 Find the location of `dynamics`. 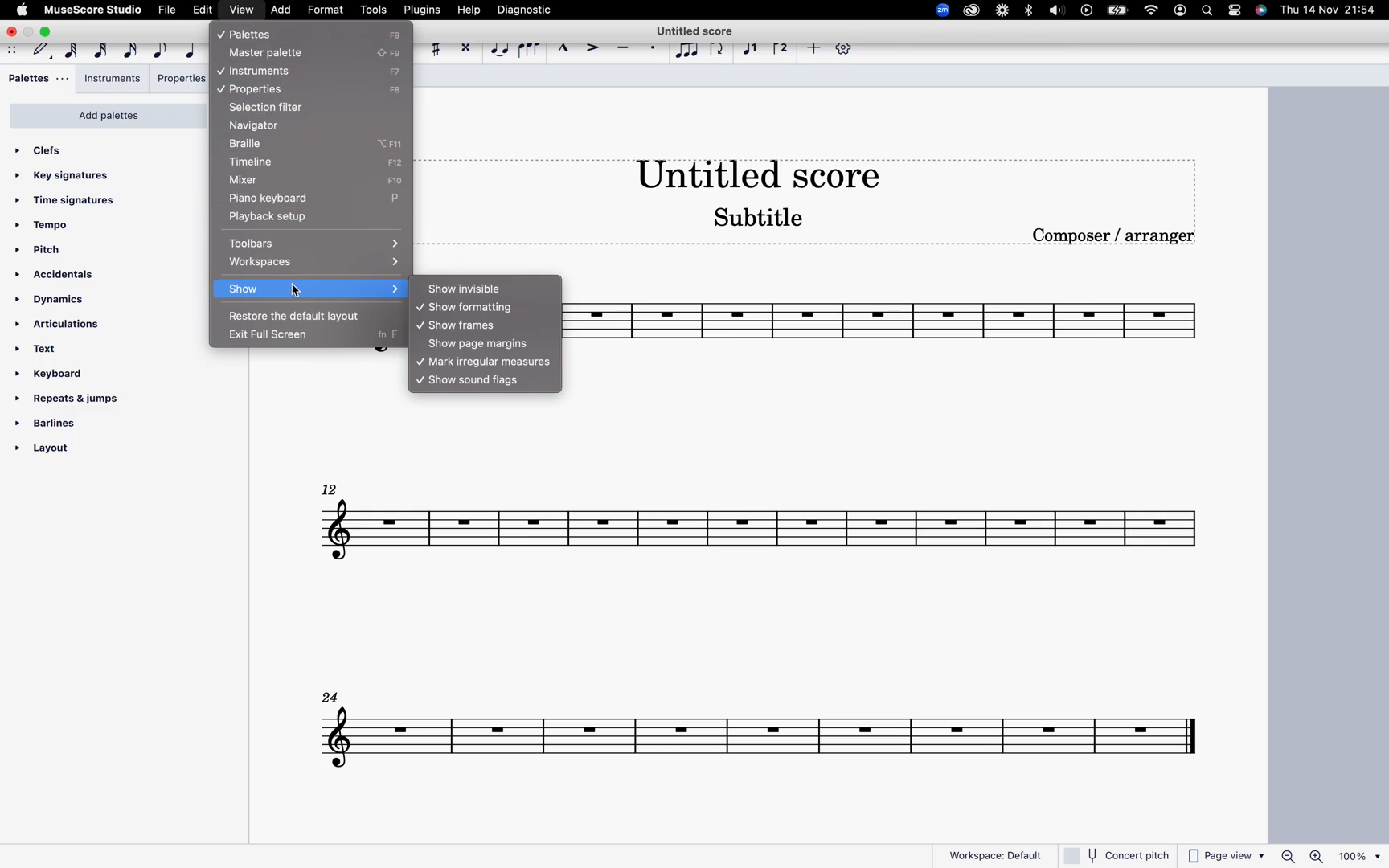

dynamics is located at coordinates (51, 297).